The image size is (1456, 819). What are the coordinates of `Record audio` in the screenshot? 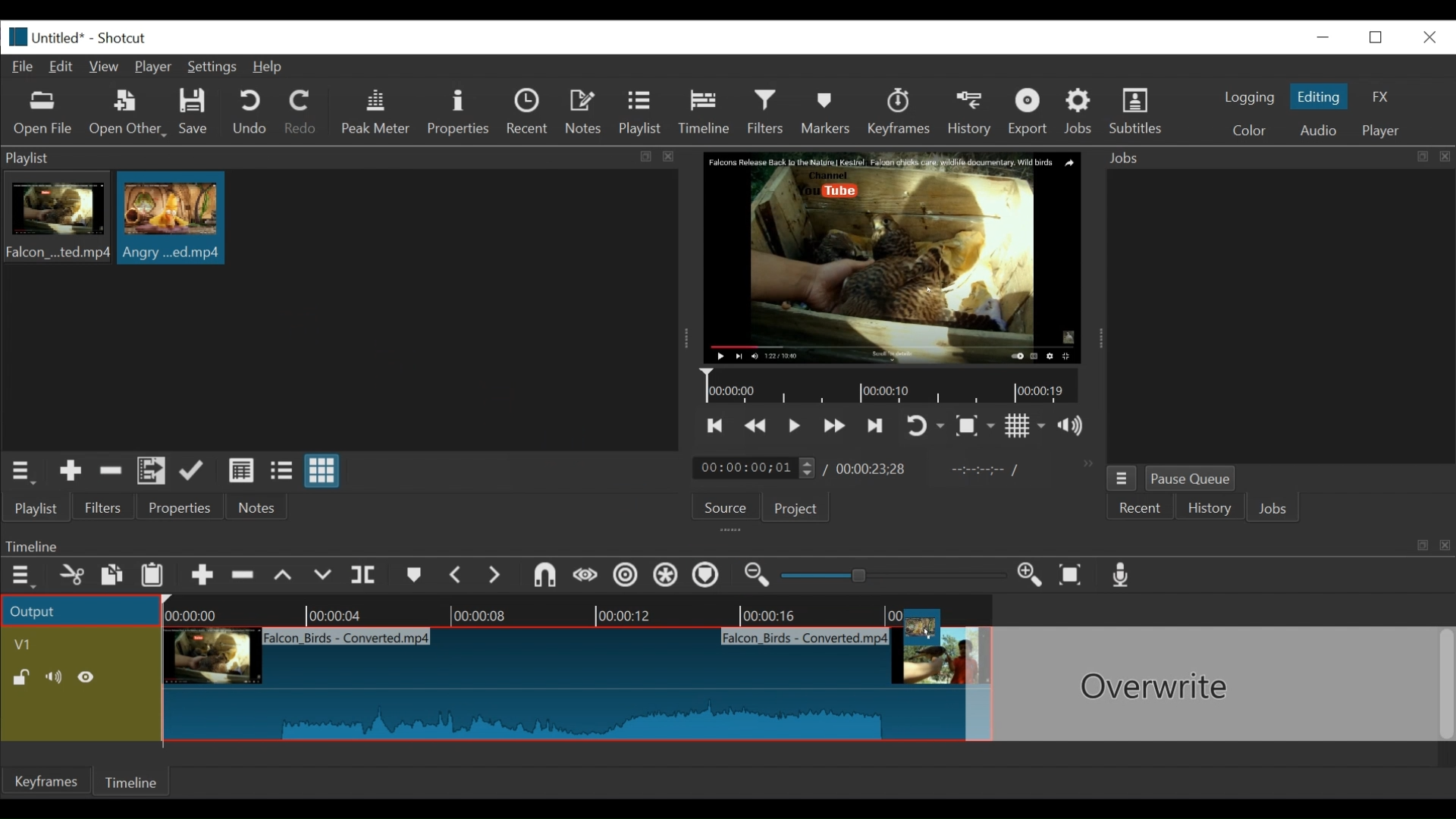 It's located at (1122, 579).